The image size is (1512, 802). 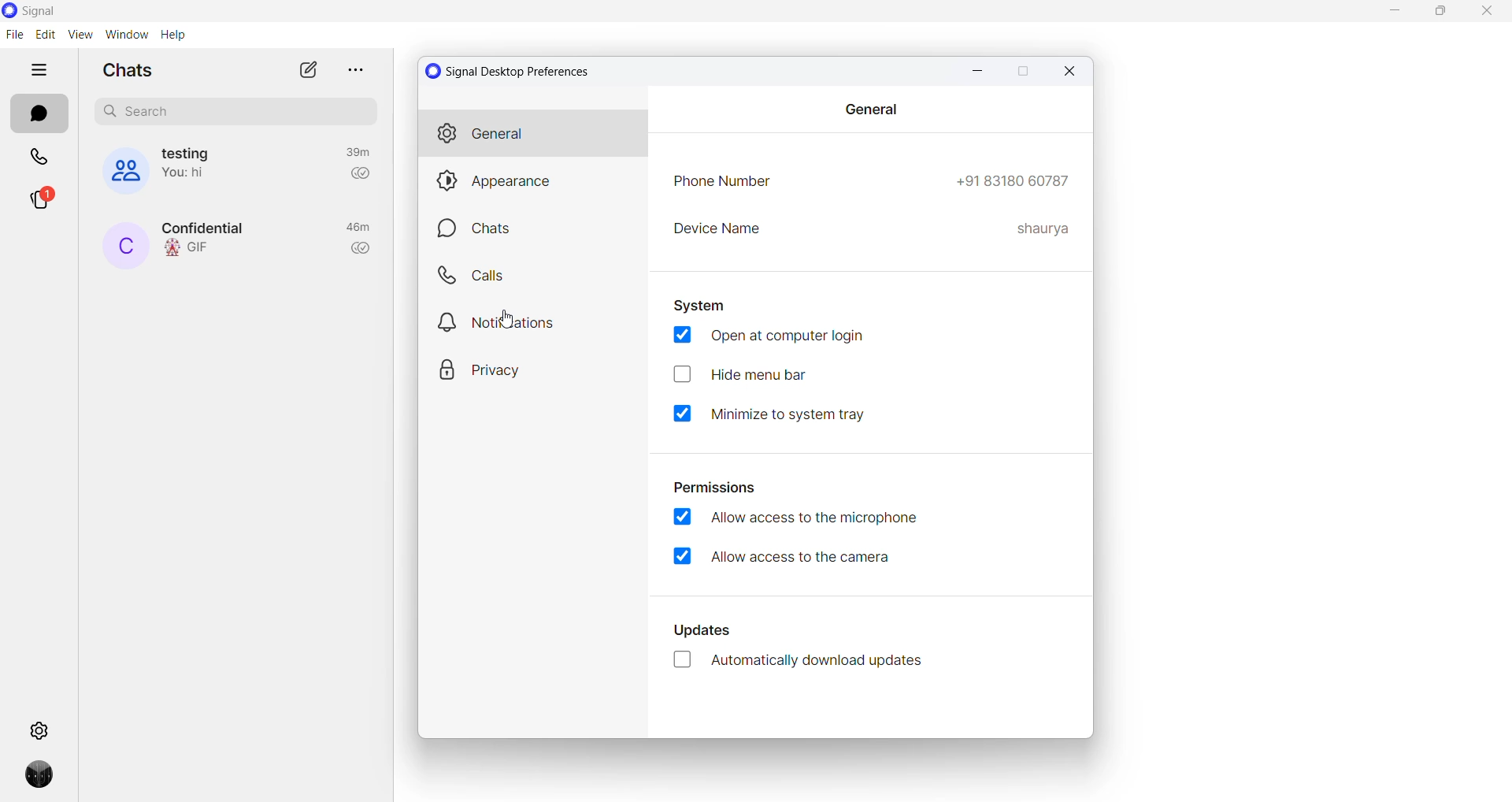 What do you see at coordinates (360, 177) in the screenshot?
I see `read recipient` at bounding box center [360, 177].